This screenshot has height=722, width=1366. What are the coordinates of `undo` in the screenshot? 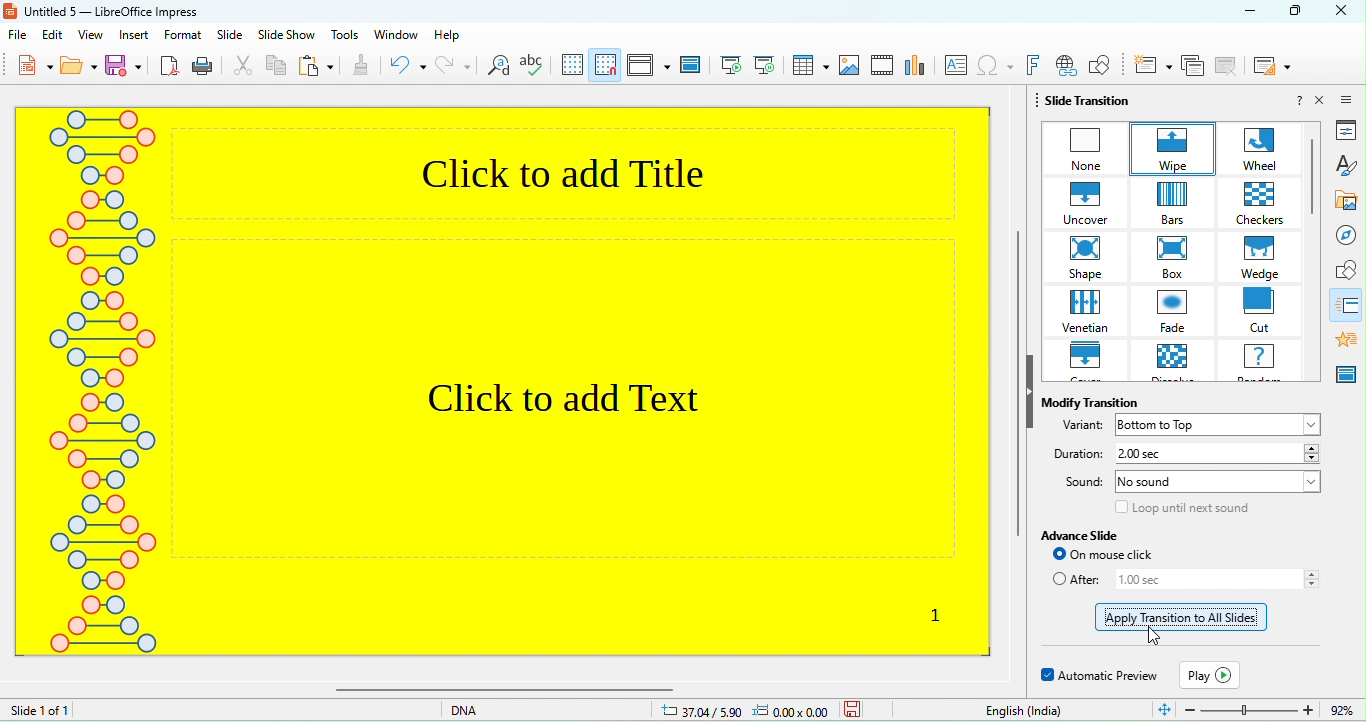 It's located at (407, 68).